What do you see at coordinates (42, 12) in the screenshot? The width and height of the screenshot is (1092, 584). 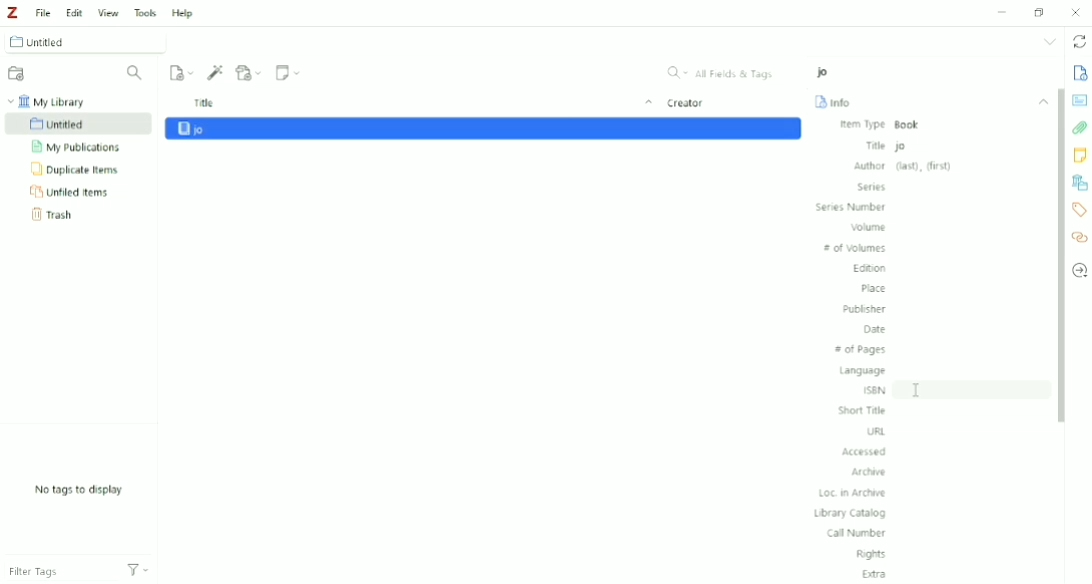 I see `File` at bounding box center [42, 12].